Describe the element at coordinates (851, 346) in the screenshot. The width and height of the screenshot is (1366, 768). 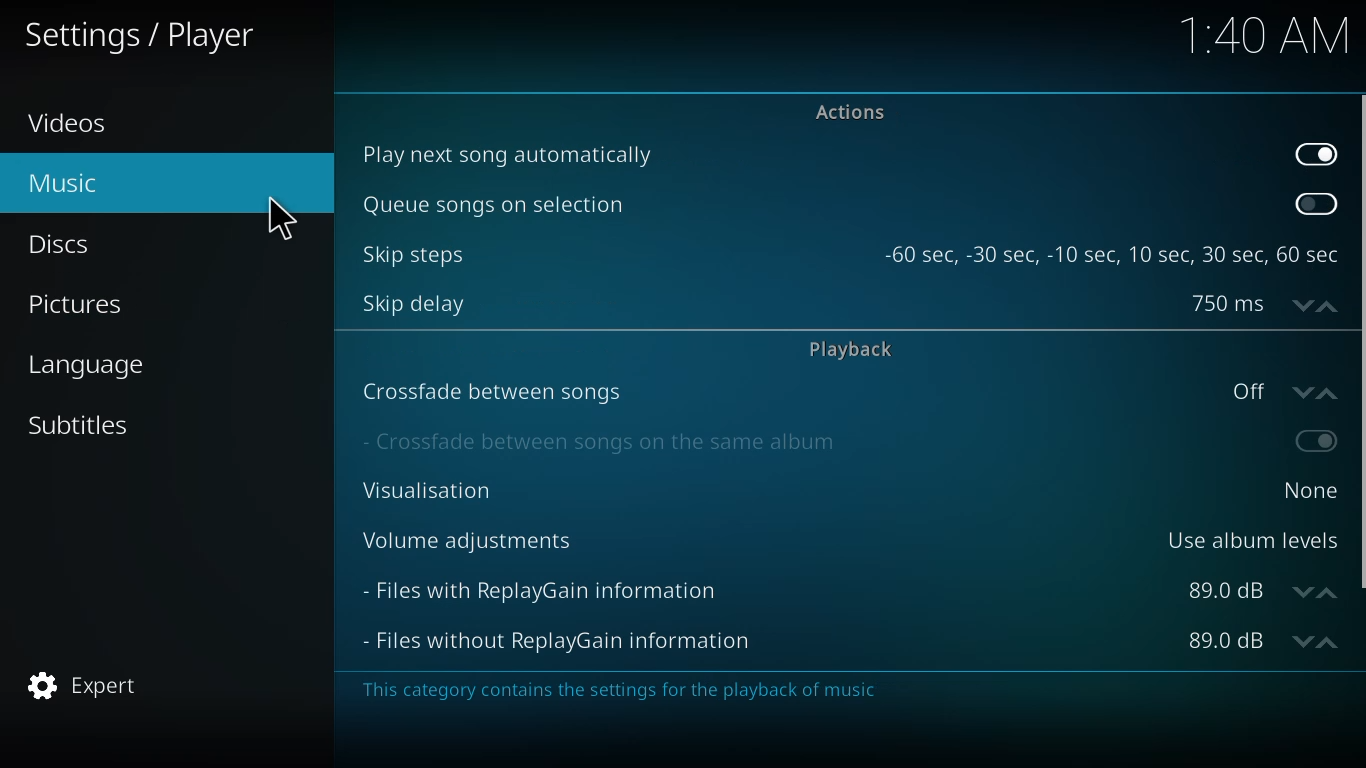
I see `playback` at that location.